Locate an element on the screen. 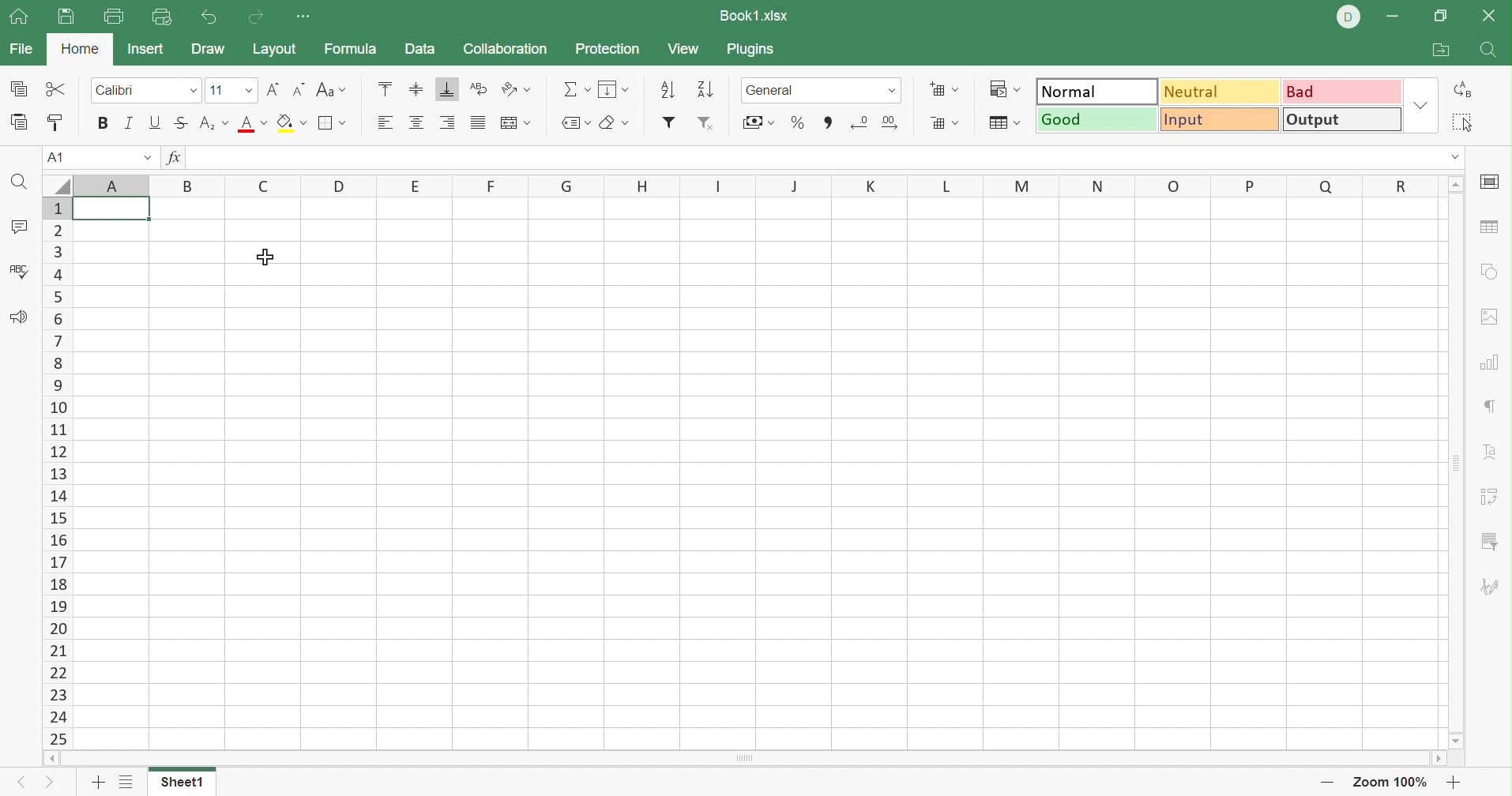 This screenshot has width=1512, height=796. Feedback & comments is located at coordinates (19, 317).